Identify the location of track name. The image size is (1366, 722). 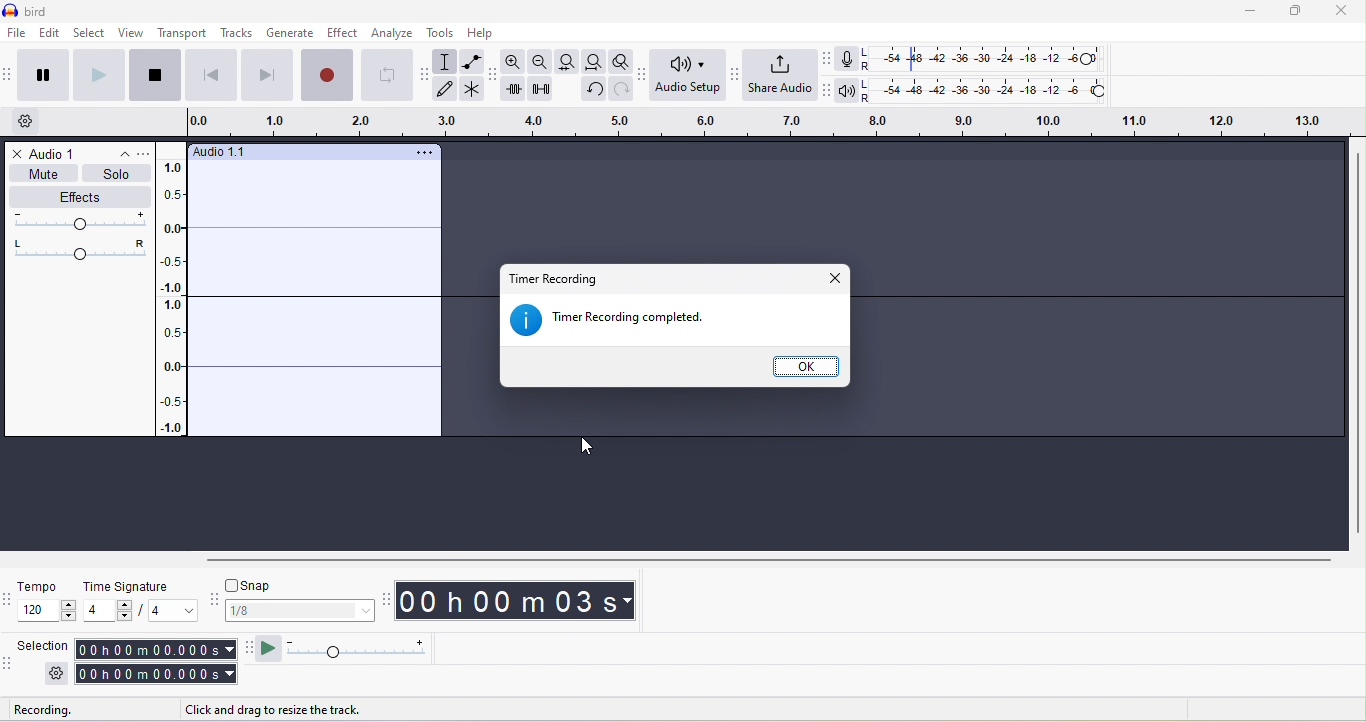
(229, 152).